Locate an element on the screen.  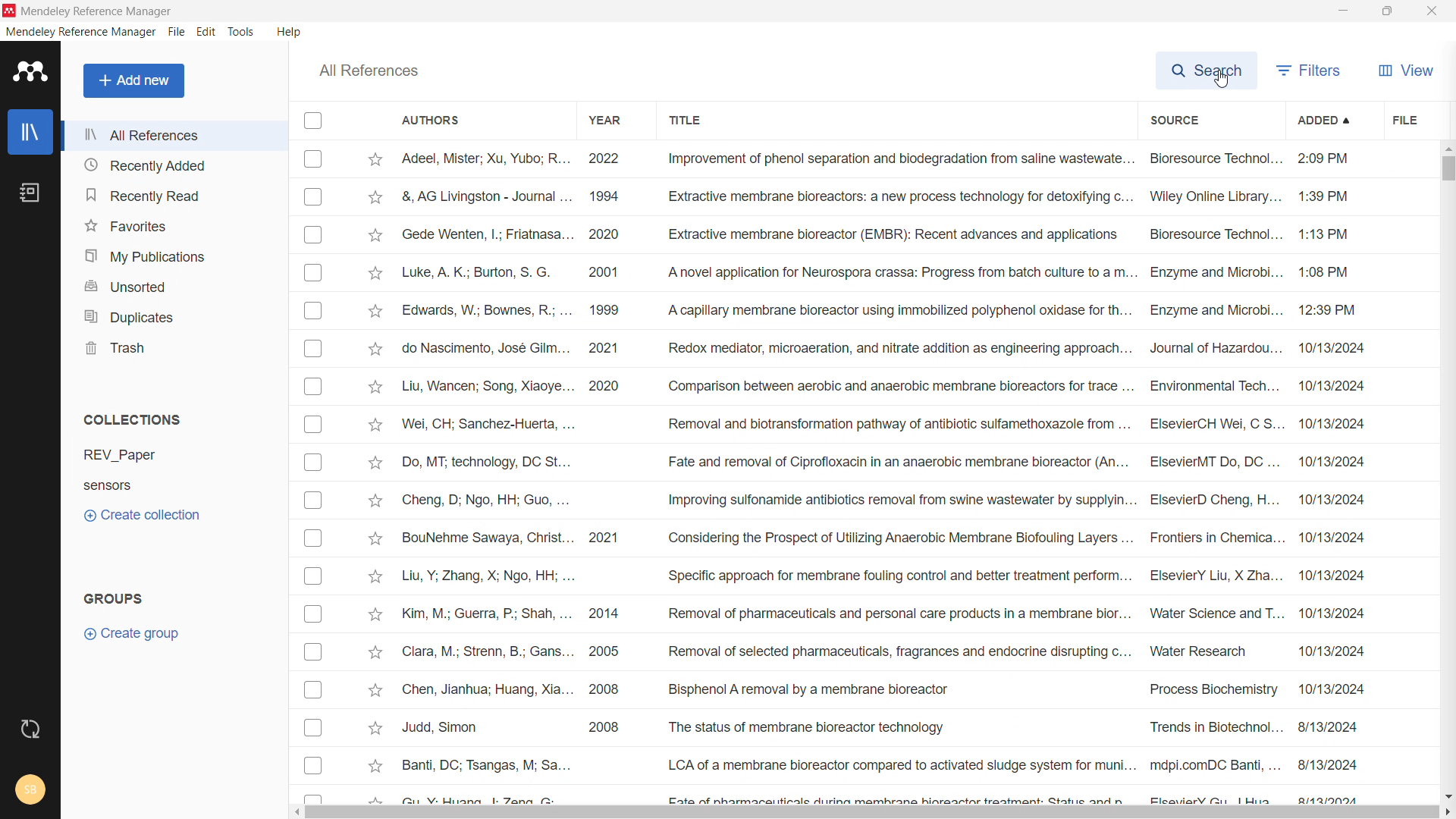
tools is located at coordinates (241, 32).